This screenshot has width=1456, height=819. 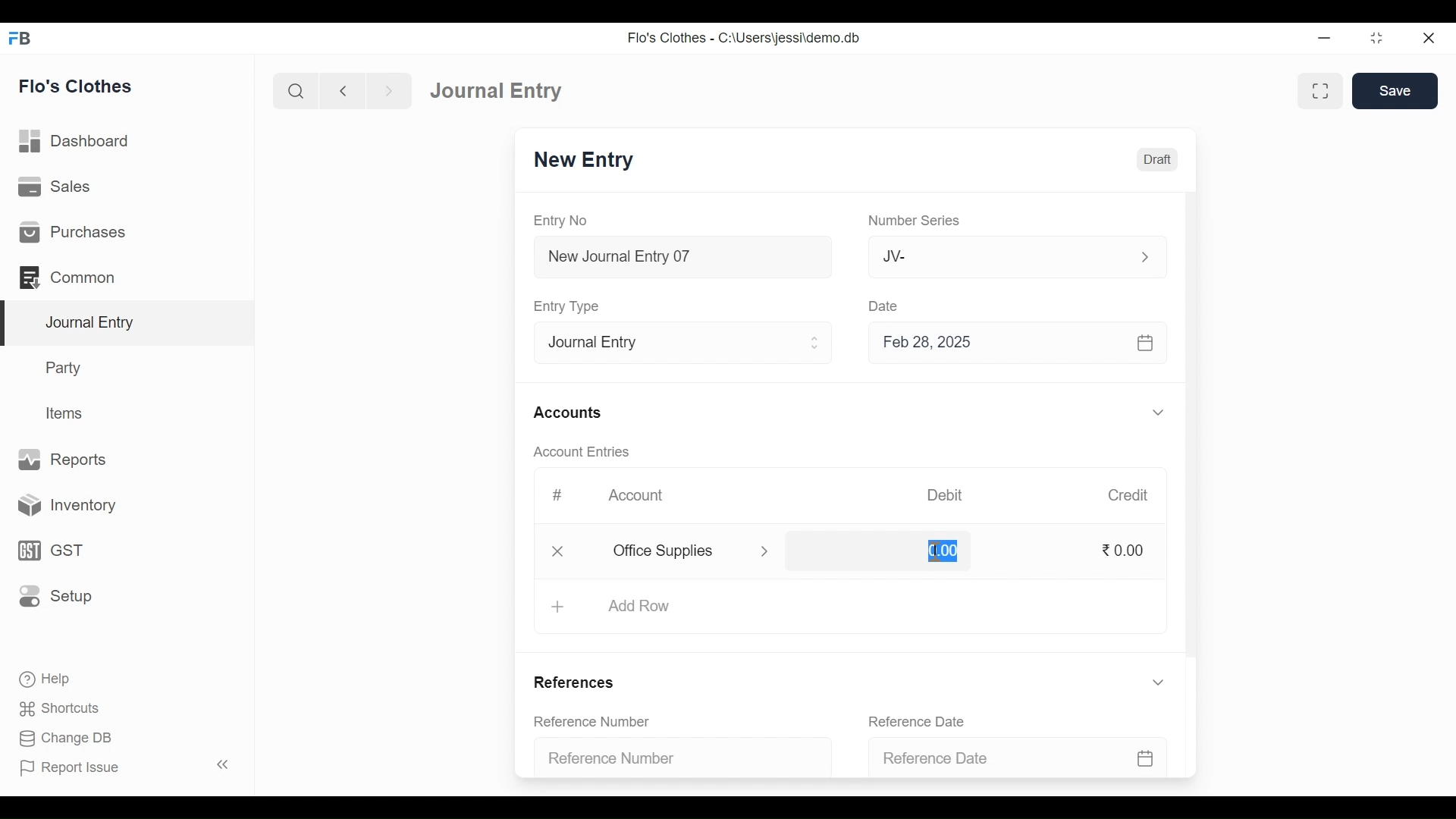 I want to click on Close, so click(x=1429, y=39).